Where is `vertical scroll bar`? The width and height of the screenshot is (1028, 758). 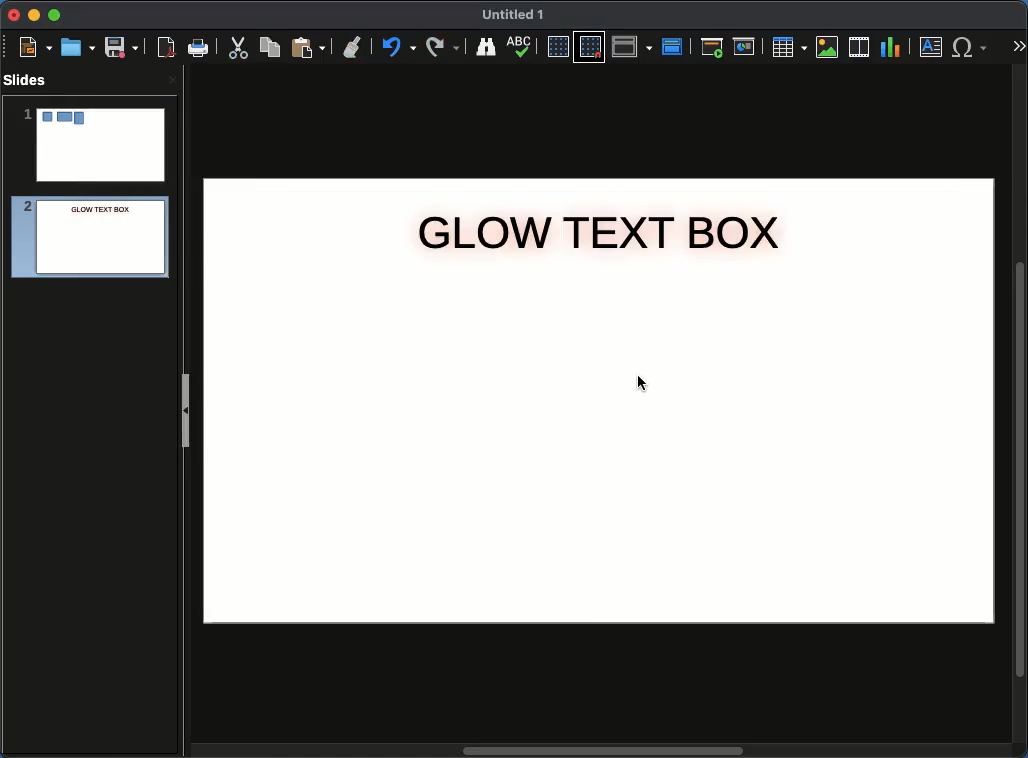
vertical scroll bar is located at coordinates (602, 751).